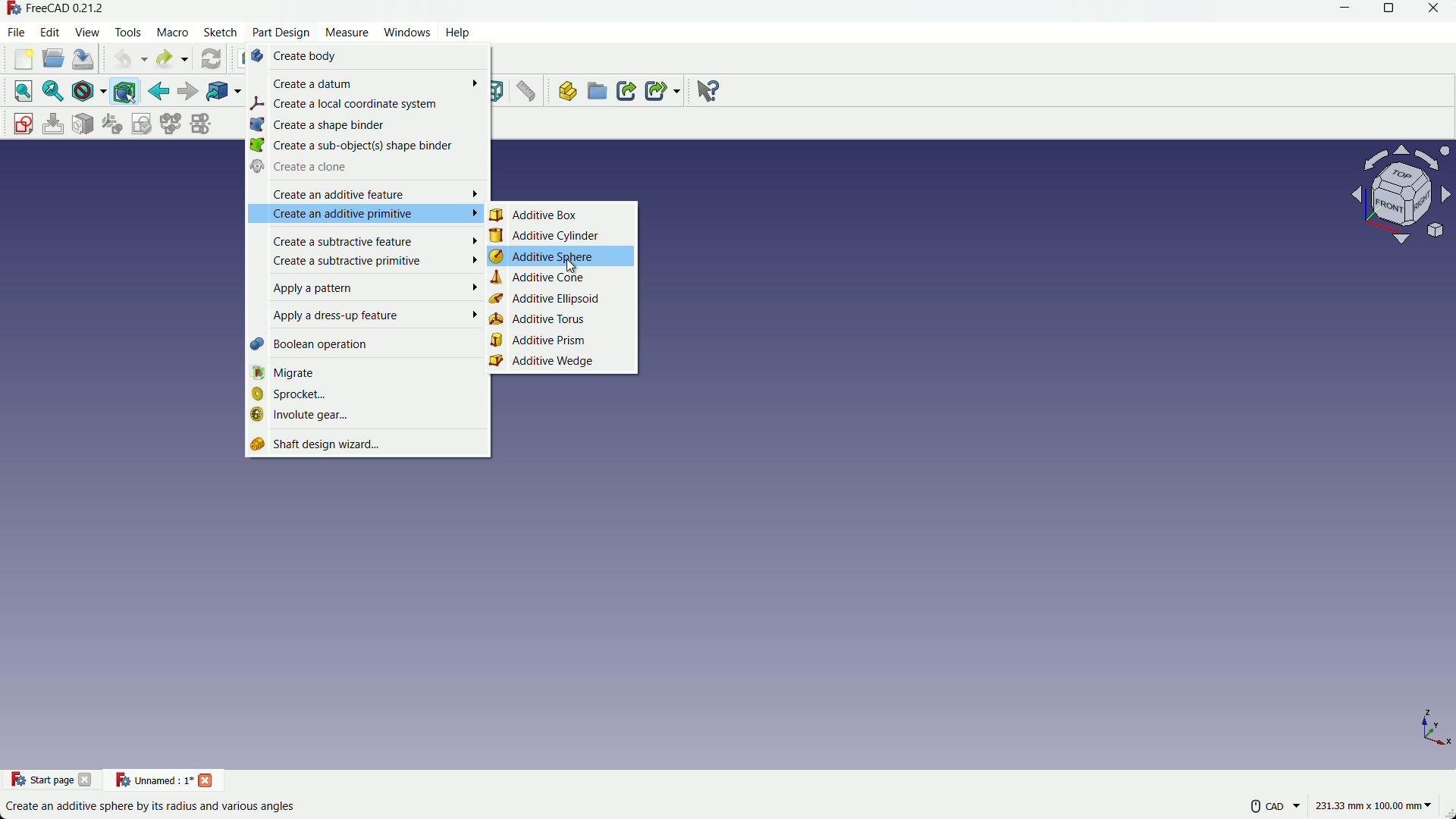  Describe the element at coordinates (123, 61) in the screenshot. I see `undo` at that location.